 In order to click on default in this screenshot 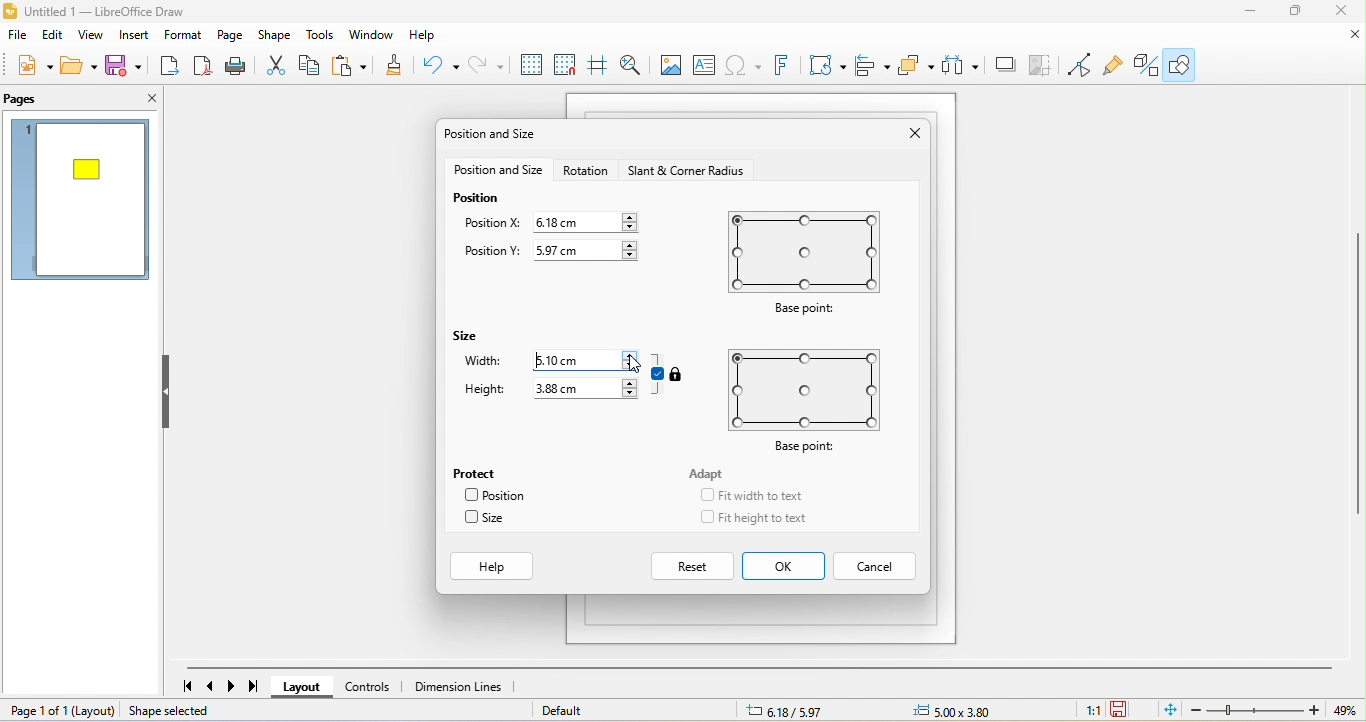, I will do `click(583, 711)`.